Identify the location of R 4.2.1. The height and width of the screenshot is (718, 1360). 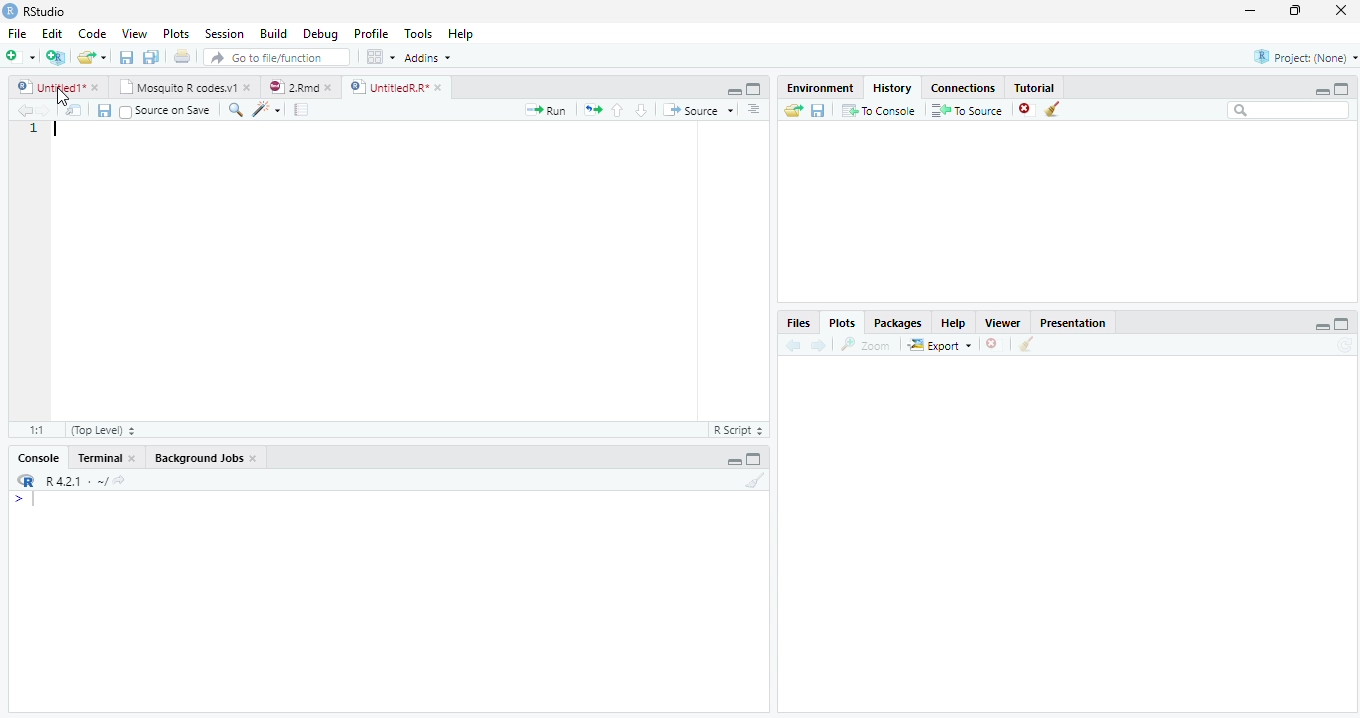
(70, 482).